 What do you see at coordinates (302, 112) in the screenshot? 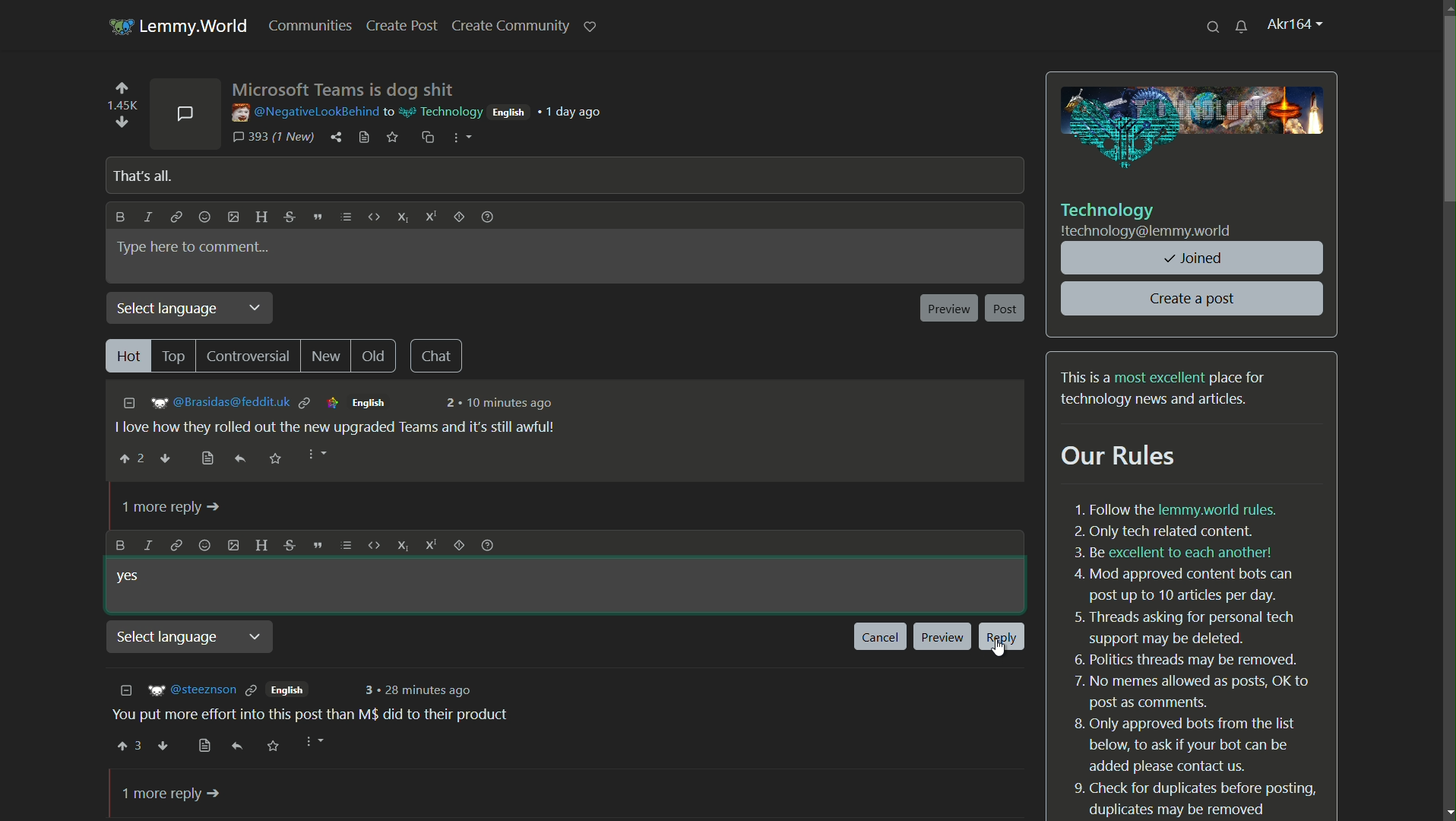
I see `username` at bounding box center [302, 112].